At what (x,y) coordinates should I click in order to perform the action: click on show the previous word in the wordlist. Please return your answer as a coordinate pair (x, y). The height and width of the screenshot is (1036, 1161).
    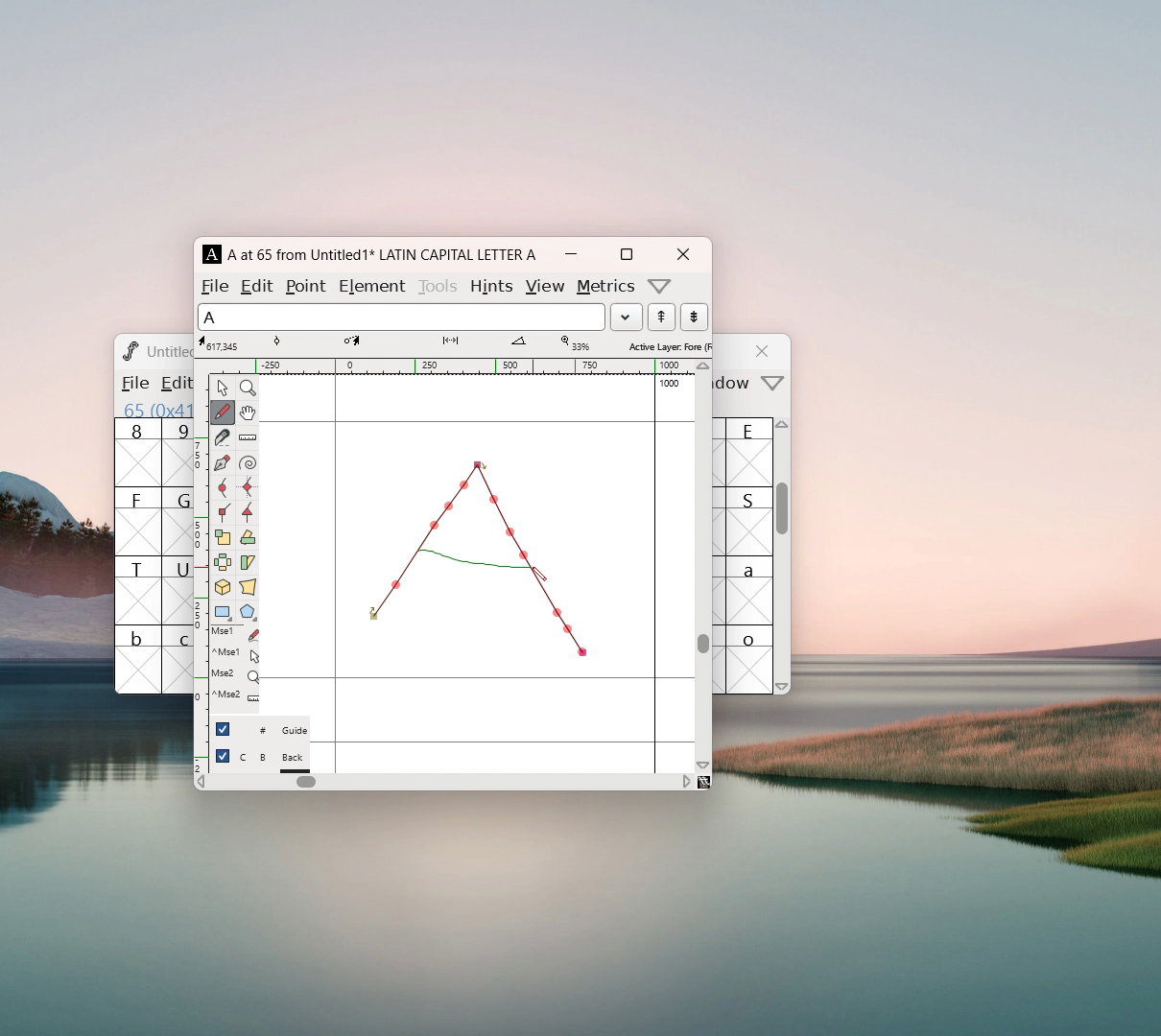
    Looking at the image, I should click on (694, 317).